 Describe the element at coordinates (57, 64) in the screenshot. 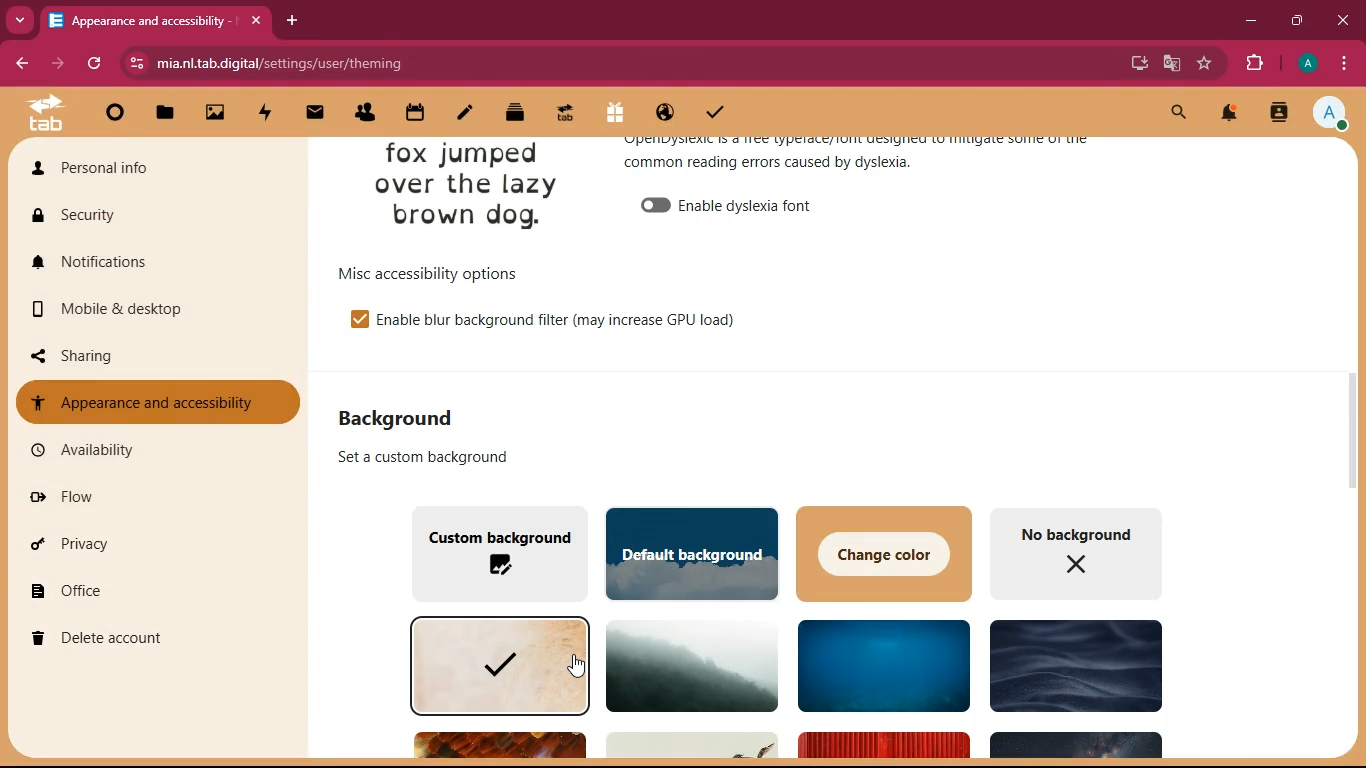

I see `forward` at that location.